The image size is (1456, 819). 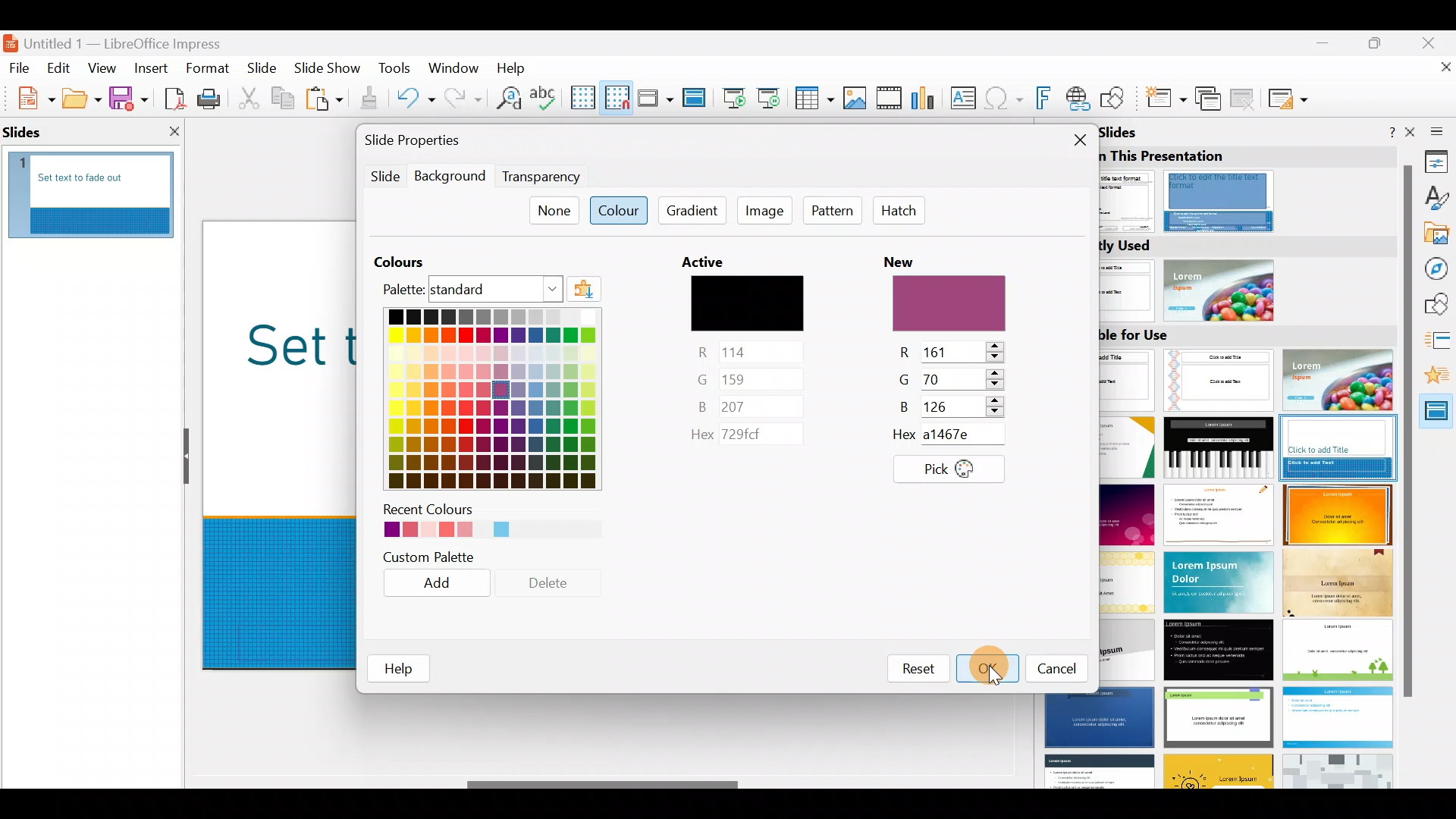 What do you see at coordinates (457, 67) in the screenshot?
I see `Window` at bounding box center [457, 67].